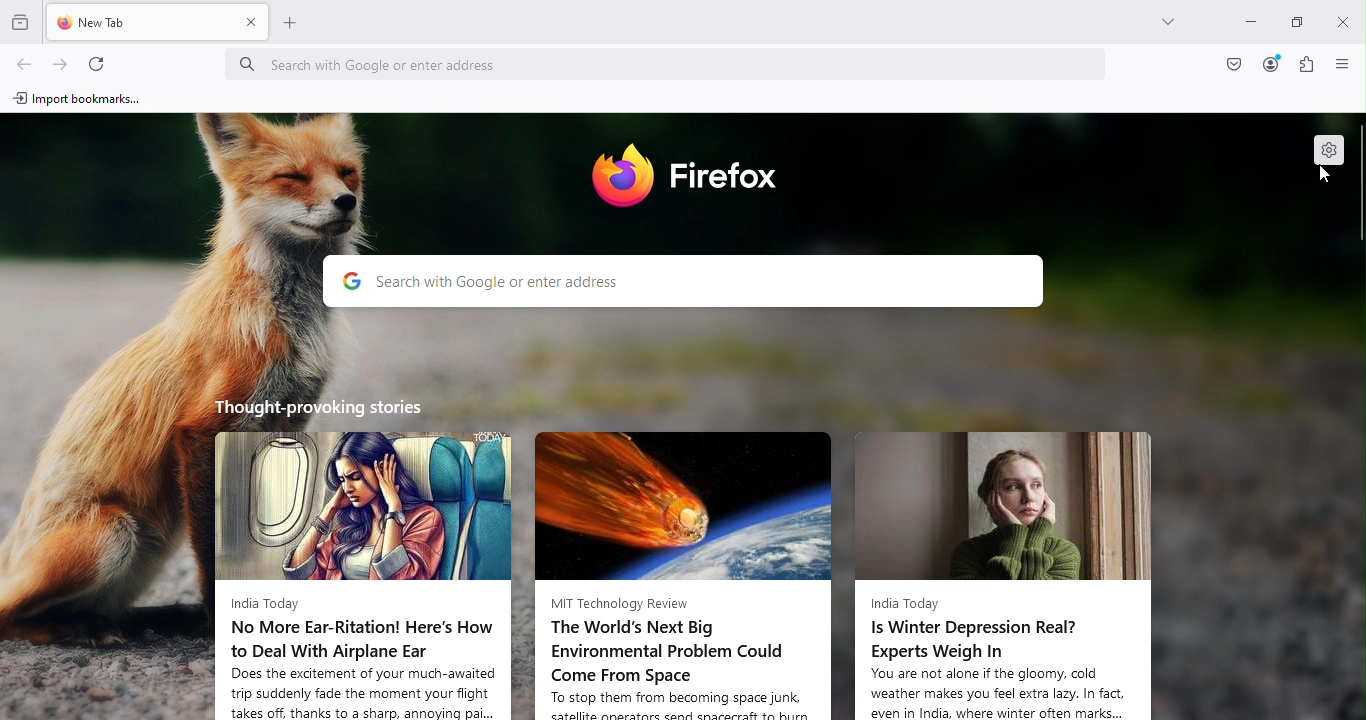  Describe the element at coordinates (1300, 24) in the screenshot. I see `Maximize` at that location.